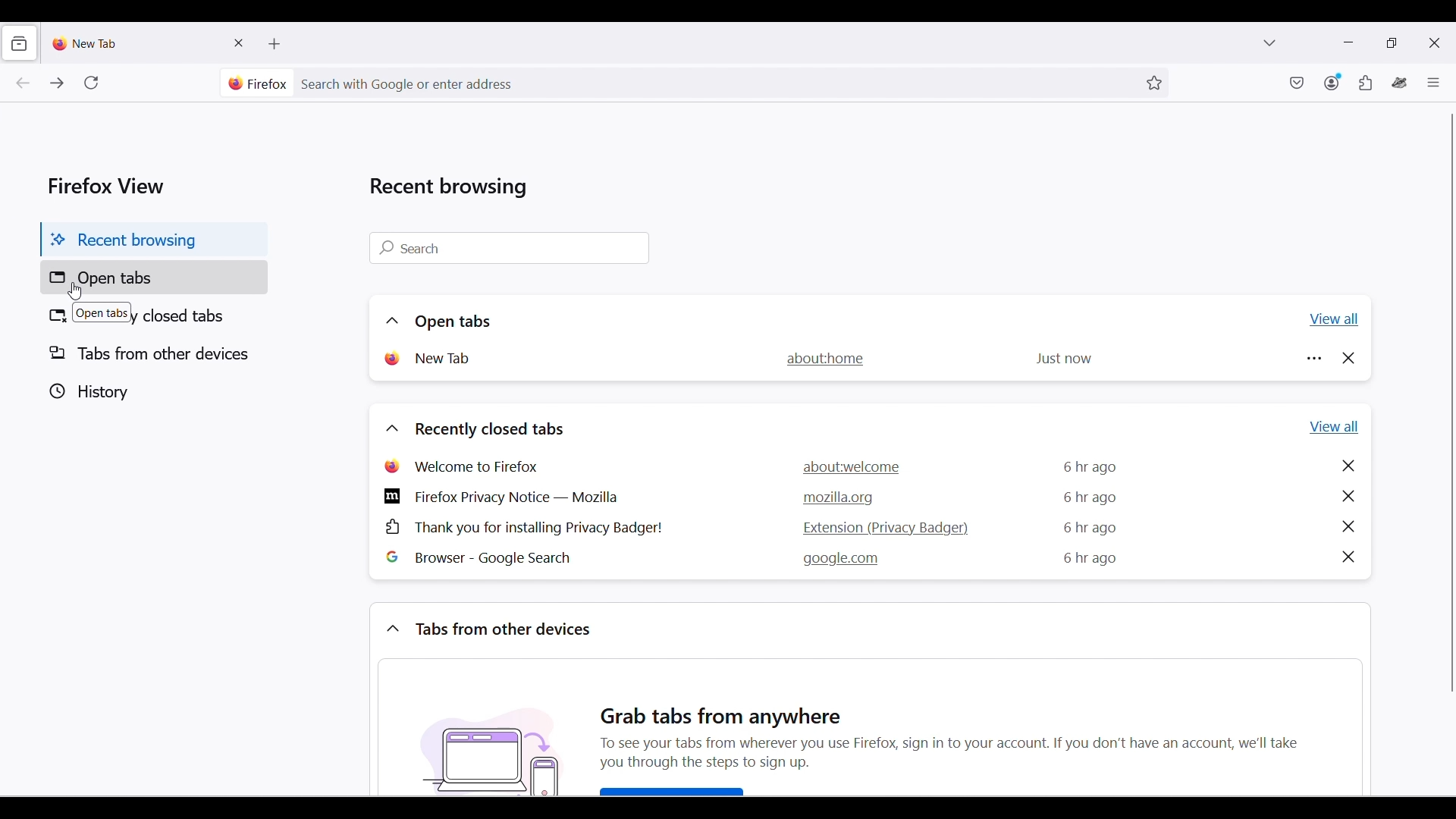 This screenshot has height=819, width=1456. Describe the element at coordinates (1092, 466) in the screenshot. I see `6 hr ago` at that location.